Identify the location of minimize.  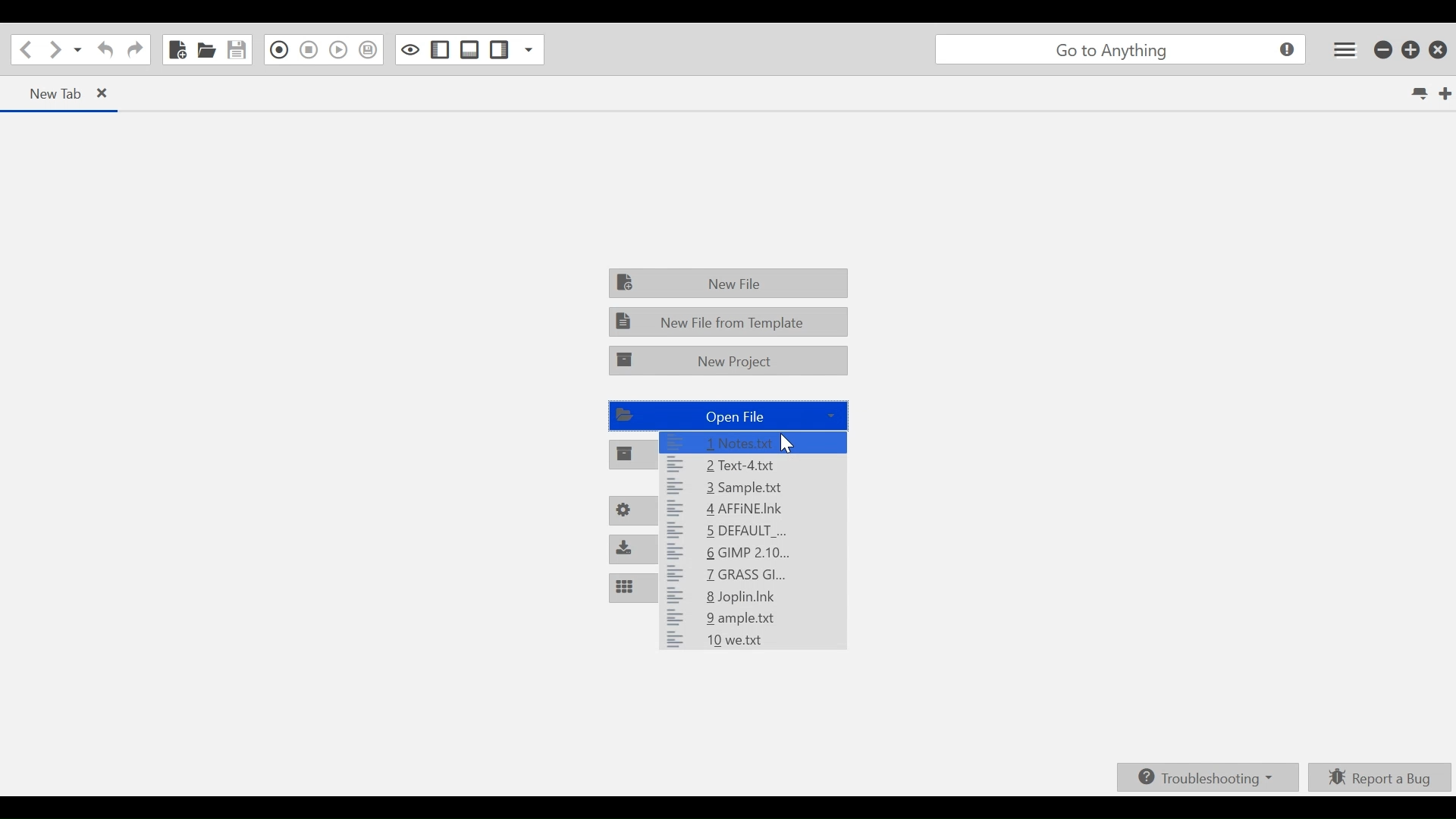
(1382, 50).